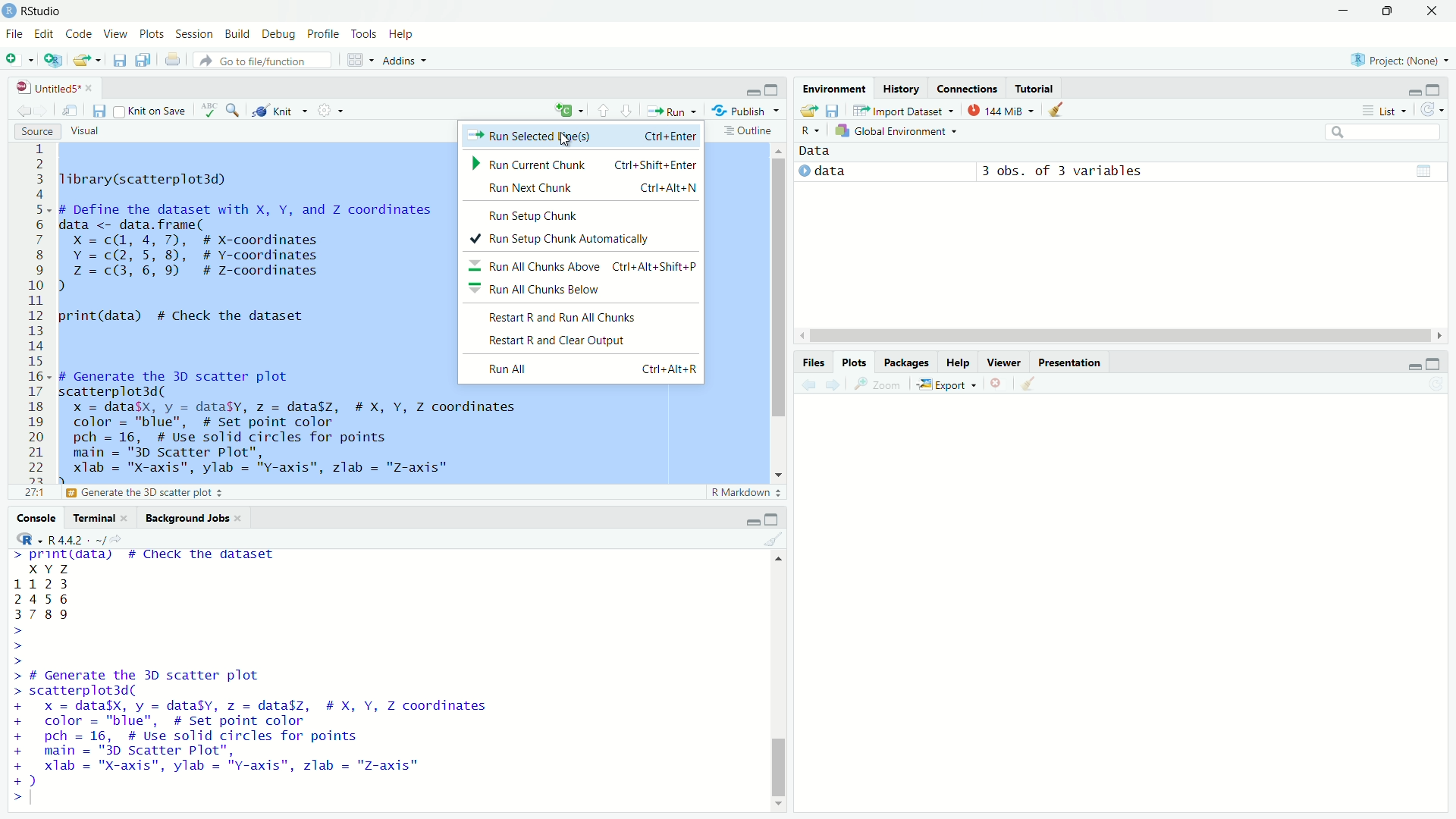 Image resolution: width=1456 pixels, height=819 pixels. Describe the element at coordinates (47, 11) in the screenshot. I see `RStudio` at that location.